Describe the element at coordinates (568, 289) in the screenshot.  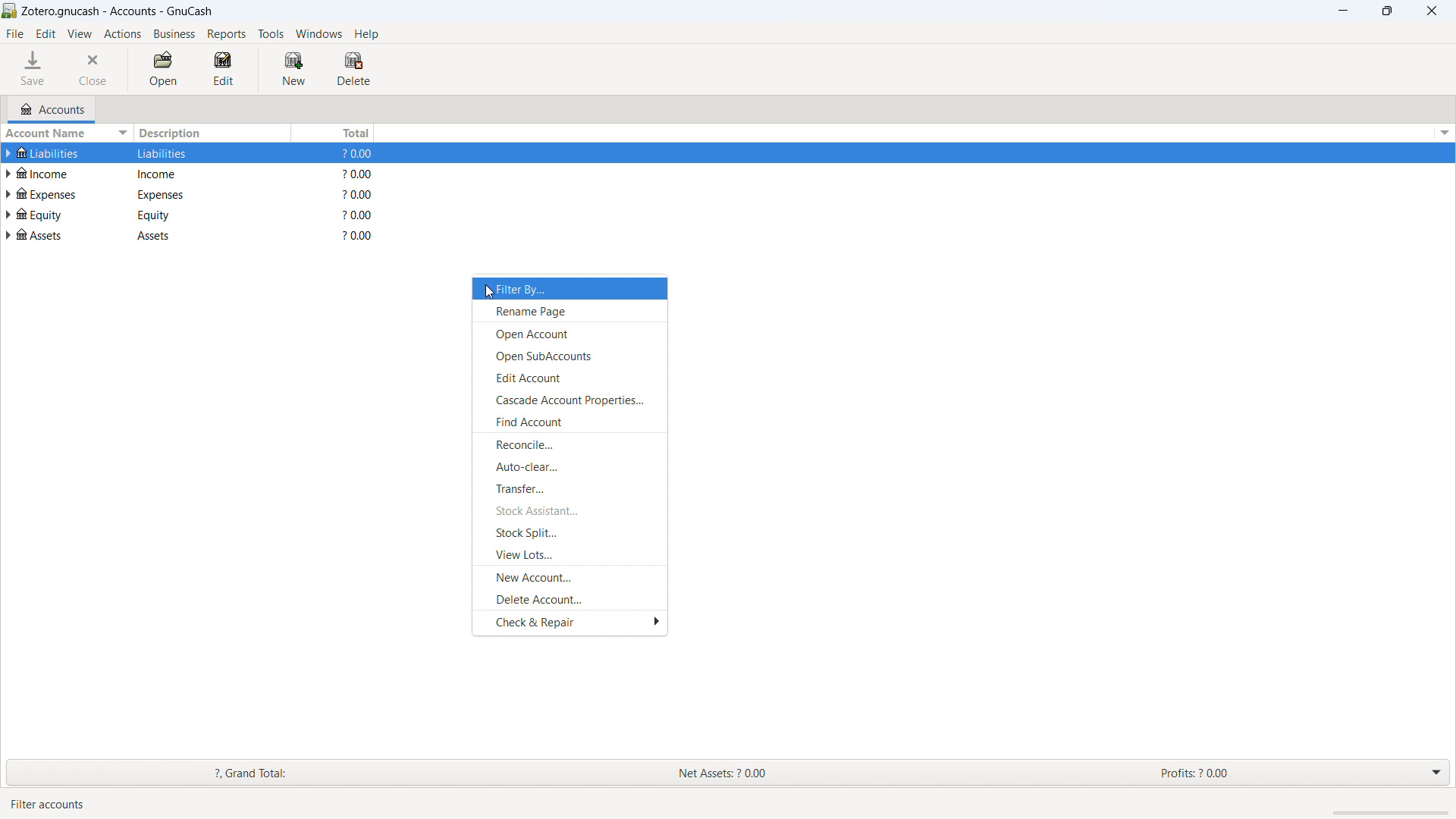
I see `filter by` at that location.